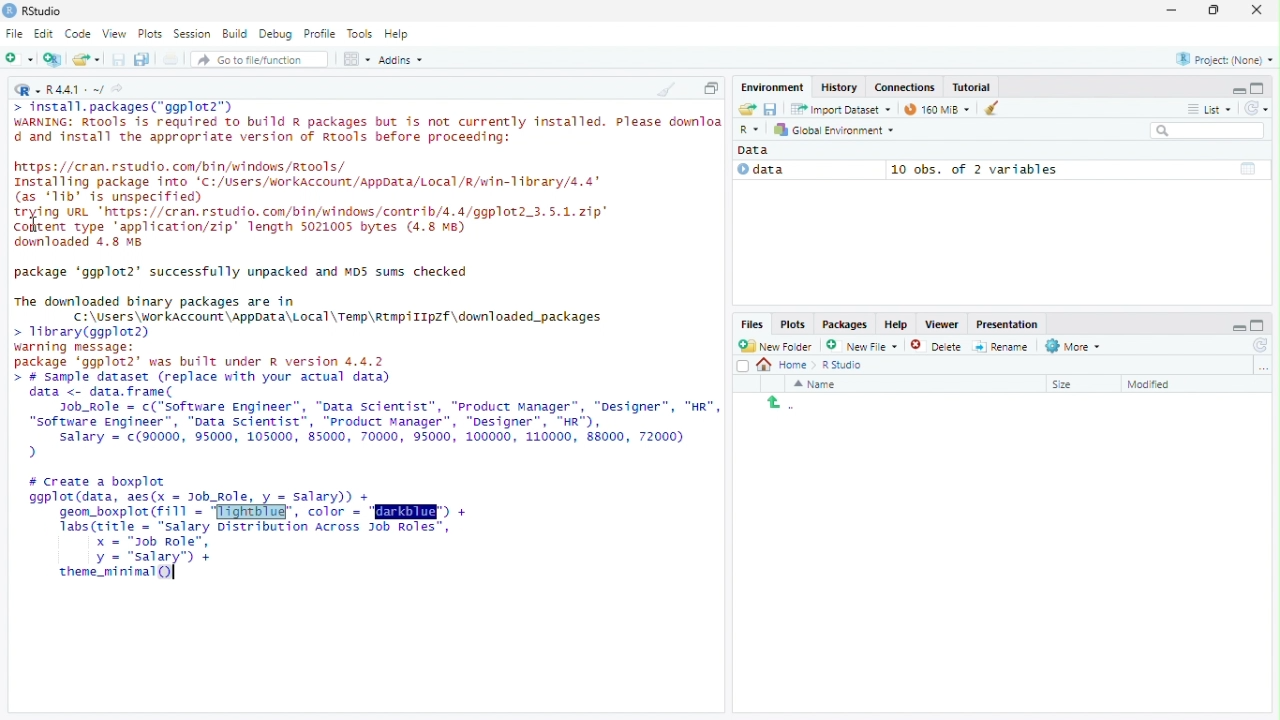 The height and width of the screenshot is (720, 1280). What do you see at coordinates (1237, 323) in the screenshot?
I see `minimize` at bounding box center [1237, 323].